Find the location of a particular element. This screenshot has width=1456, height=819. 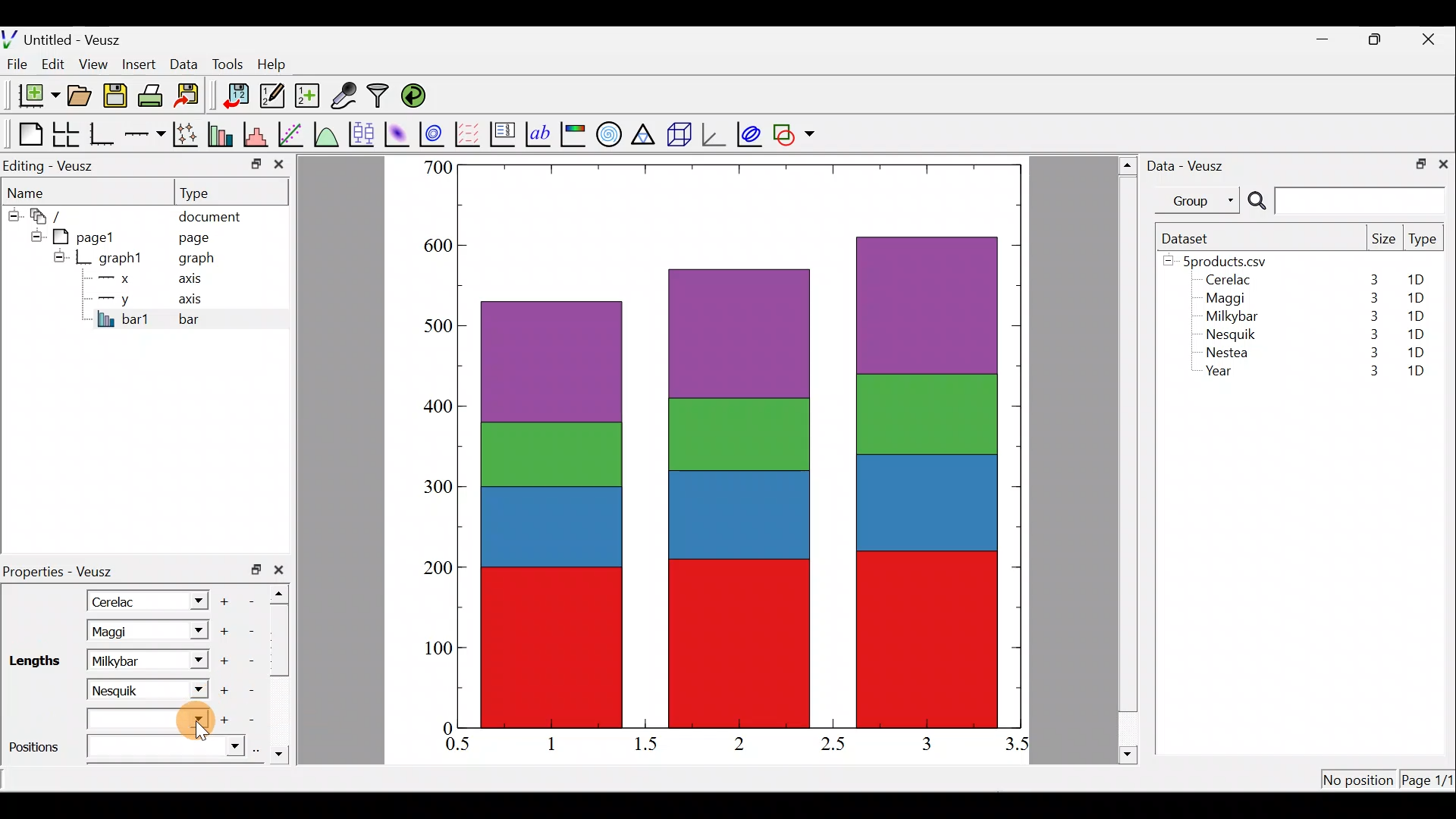

Add a shape to the plot. is located at coordinates (795, 132).